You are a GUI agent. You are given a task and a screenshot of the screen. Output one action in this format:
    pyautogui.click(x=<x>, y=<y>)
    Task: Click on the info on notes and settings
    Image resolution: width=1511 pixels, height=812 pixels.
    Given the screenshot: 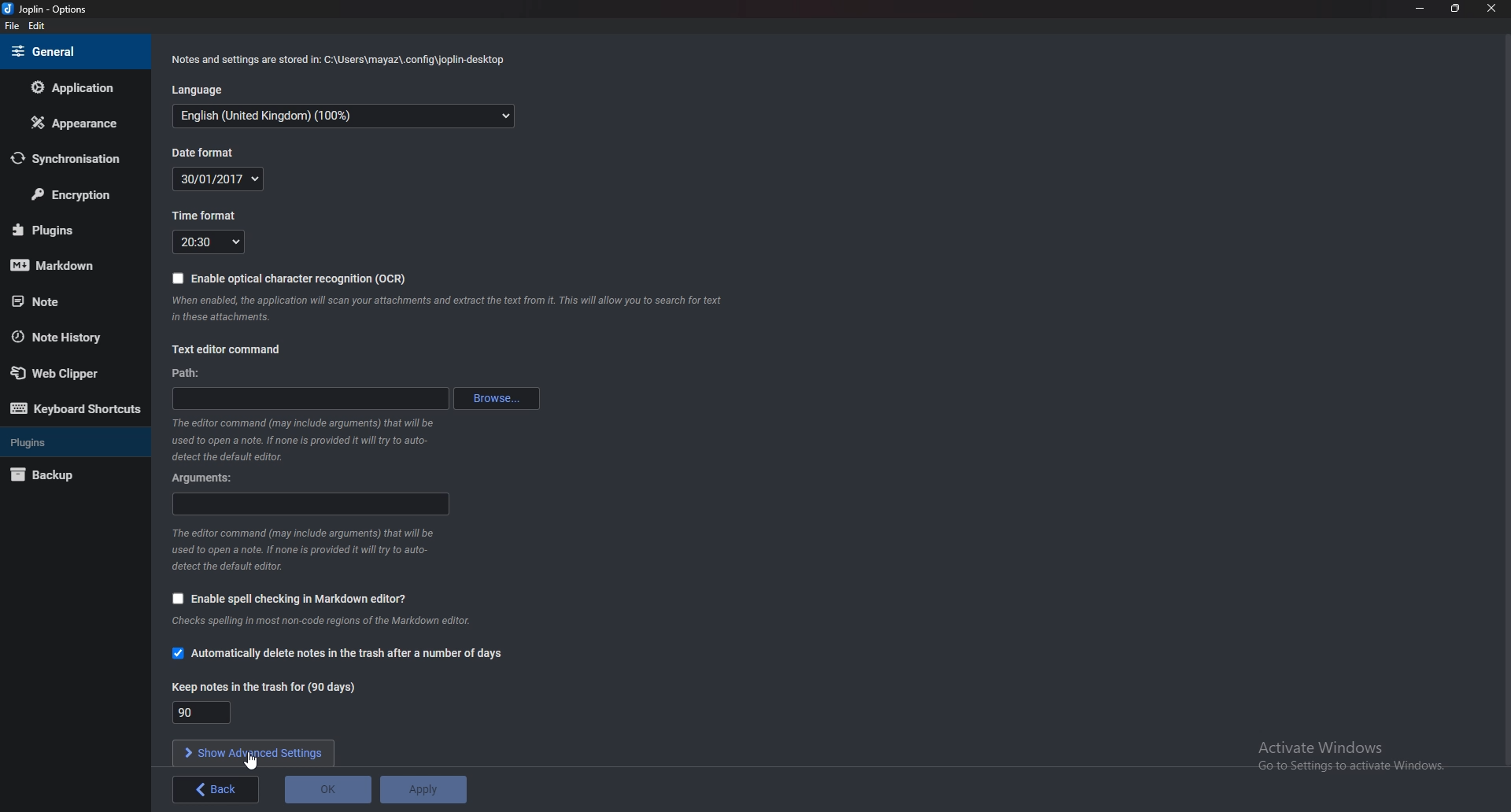 What is the action you would take?
    pyautogui.click(x=337, y=61)
    